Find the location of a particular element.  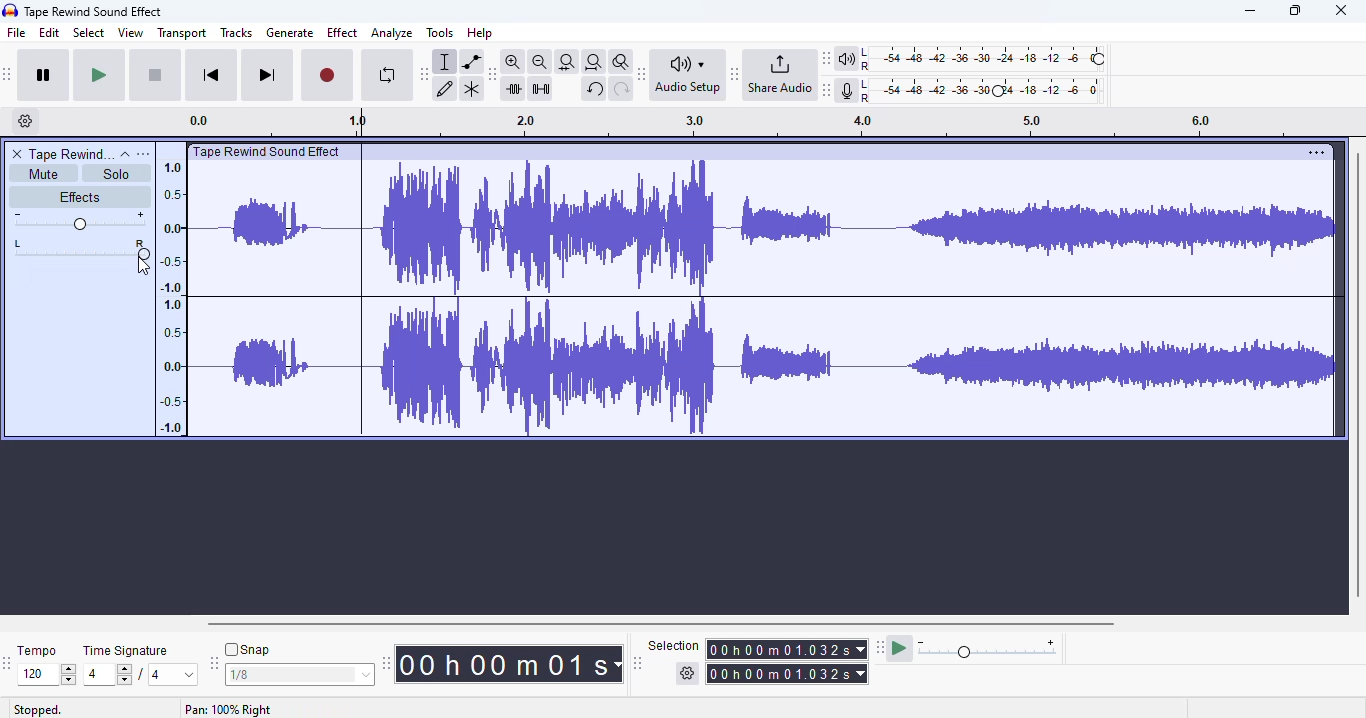

fit project to width is located at coordinates (594, 62).